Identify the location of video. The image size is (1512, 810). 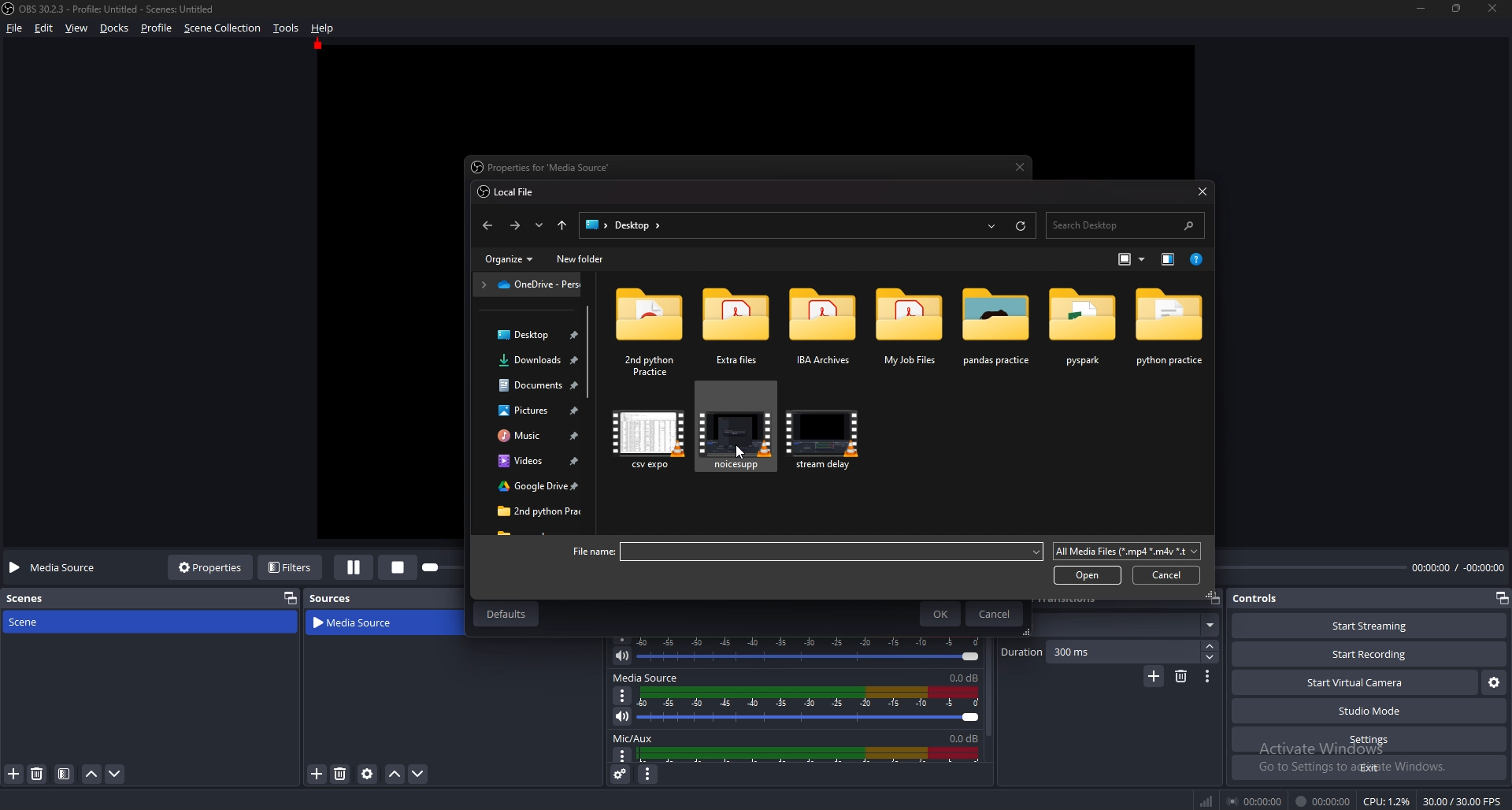
(734, 437).